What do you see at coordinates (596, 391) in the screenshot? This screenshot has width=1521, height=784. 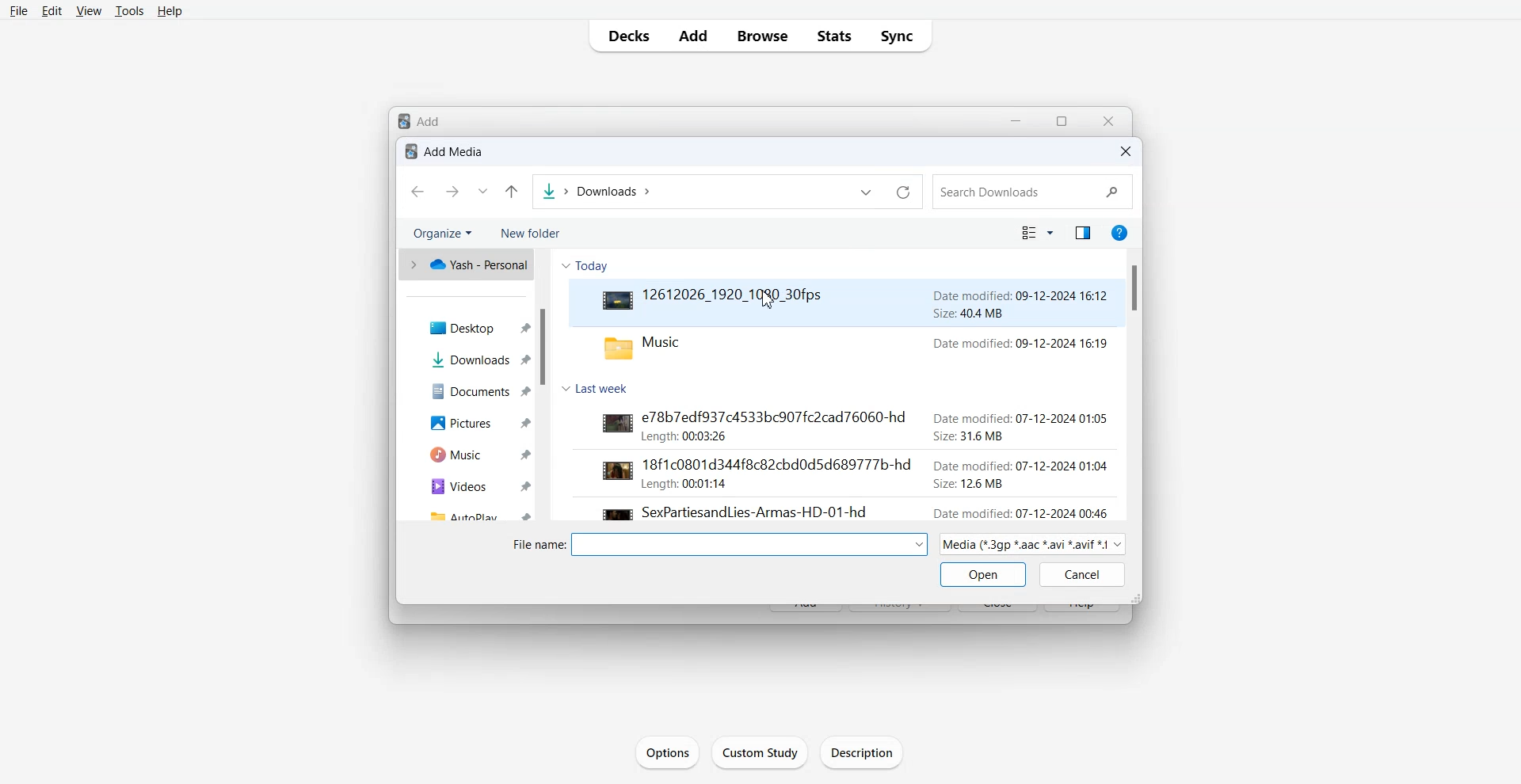 I see `Last Week` at bounding box center [596, 391].